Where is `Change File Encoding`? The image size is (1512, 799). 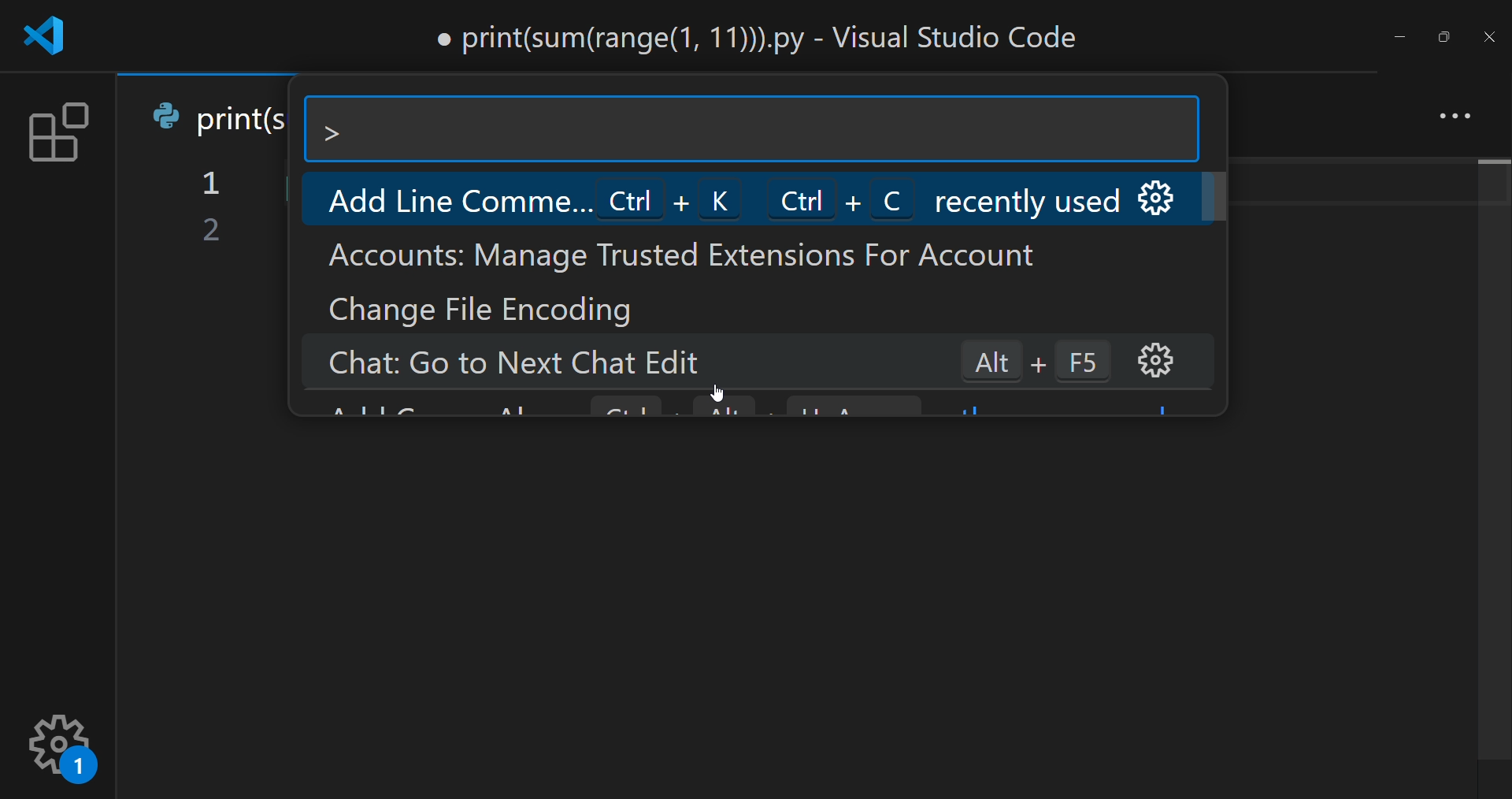
Change File Encoding is located at coordinates (488, 309).